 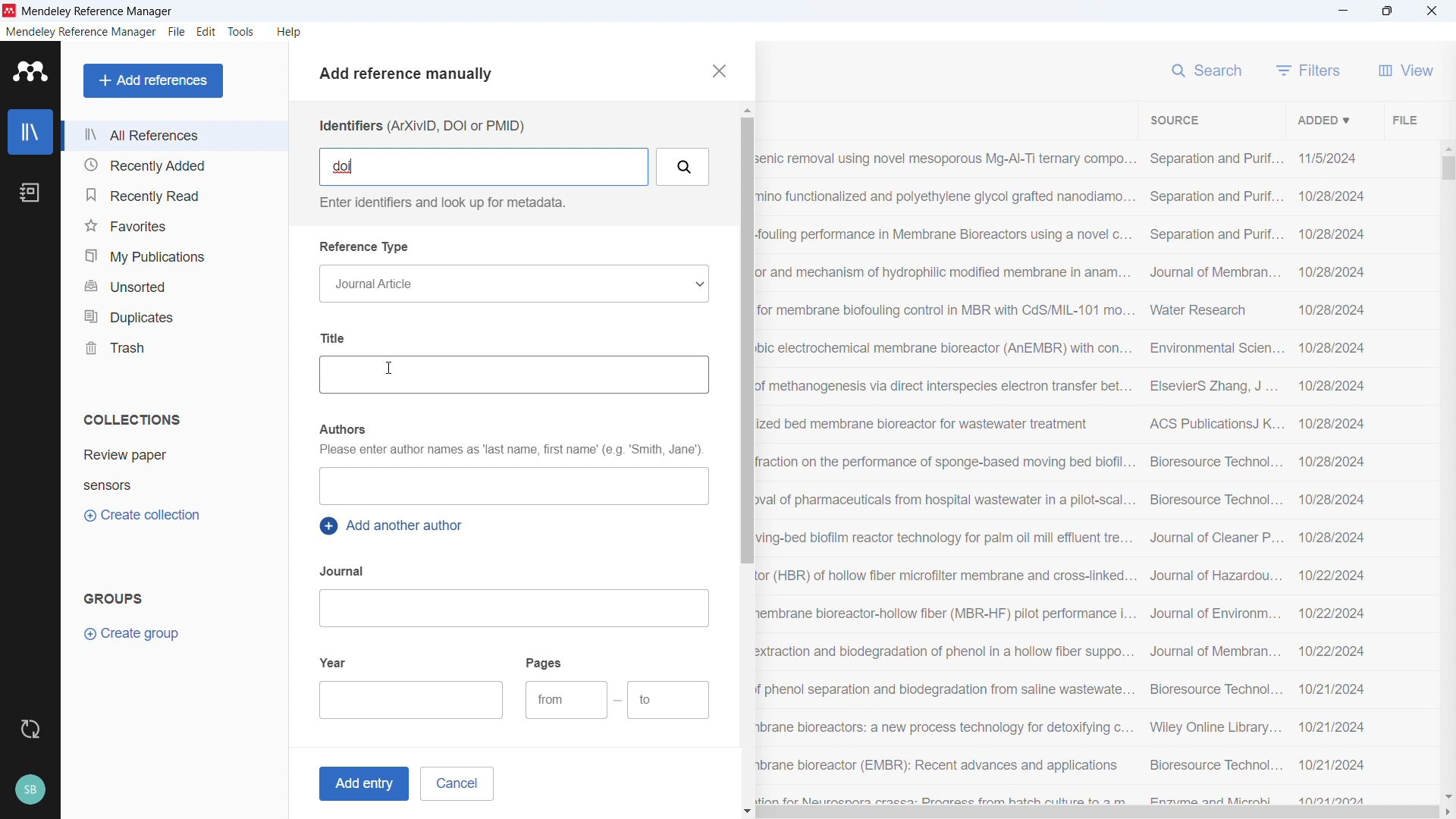 I want to click on Close, so click(x=1432, y=11).